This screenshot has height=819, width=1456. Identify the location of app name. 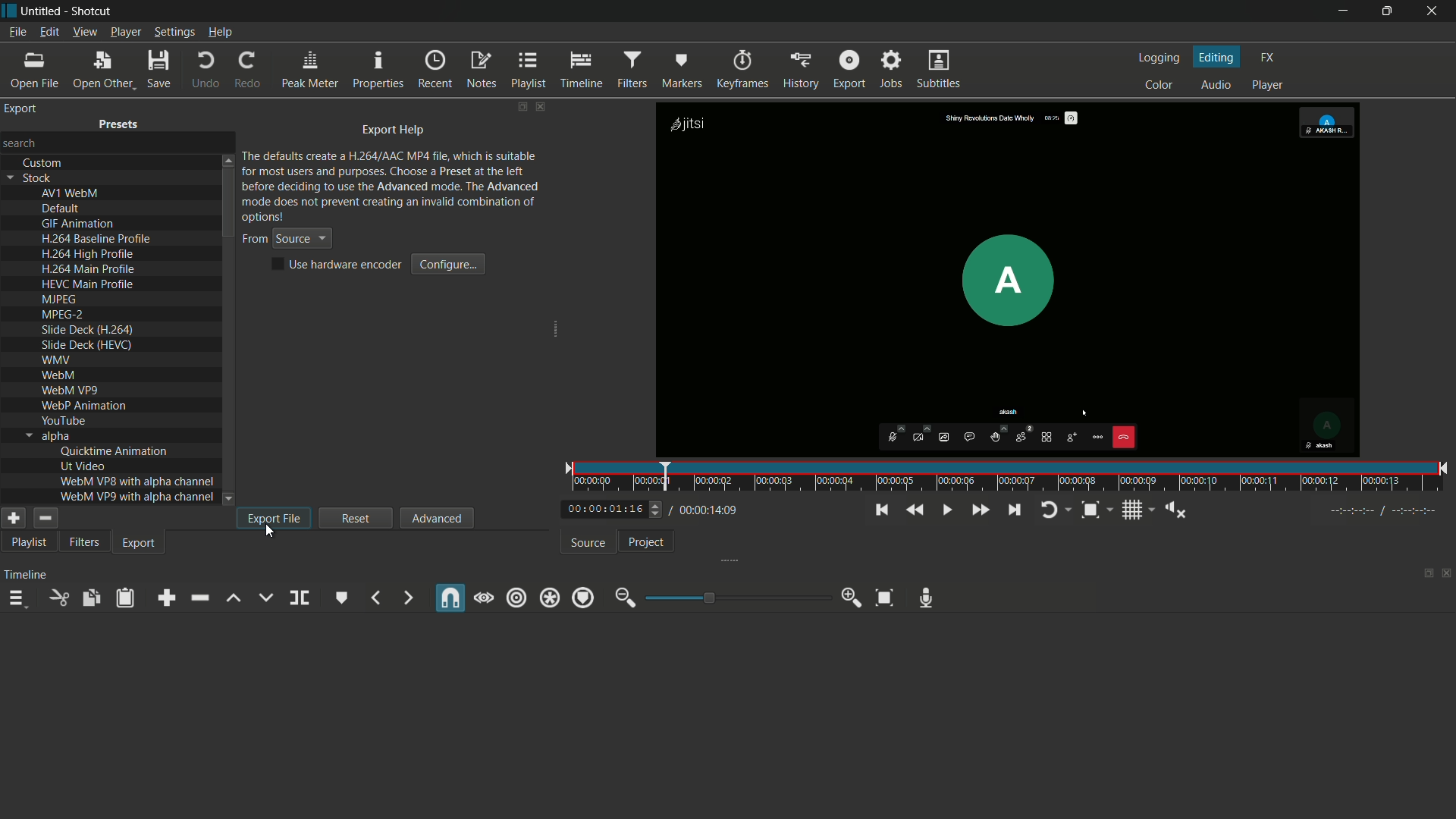
(94, 11).